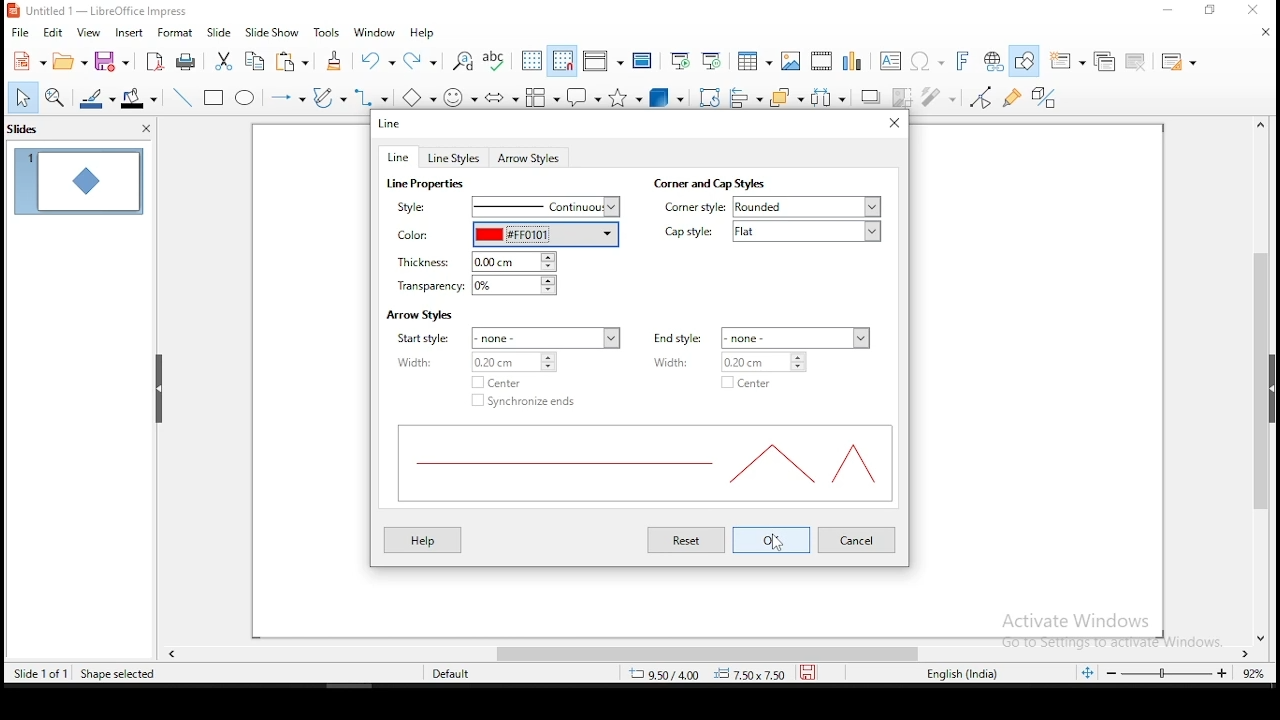  I want to click on corner and cap styles, so click(708, 183).